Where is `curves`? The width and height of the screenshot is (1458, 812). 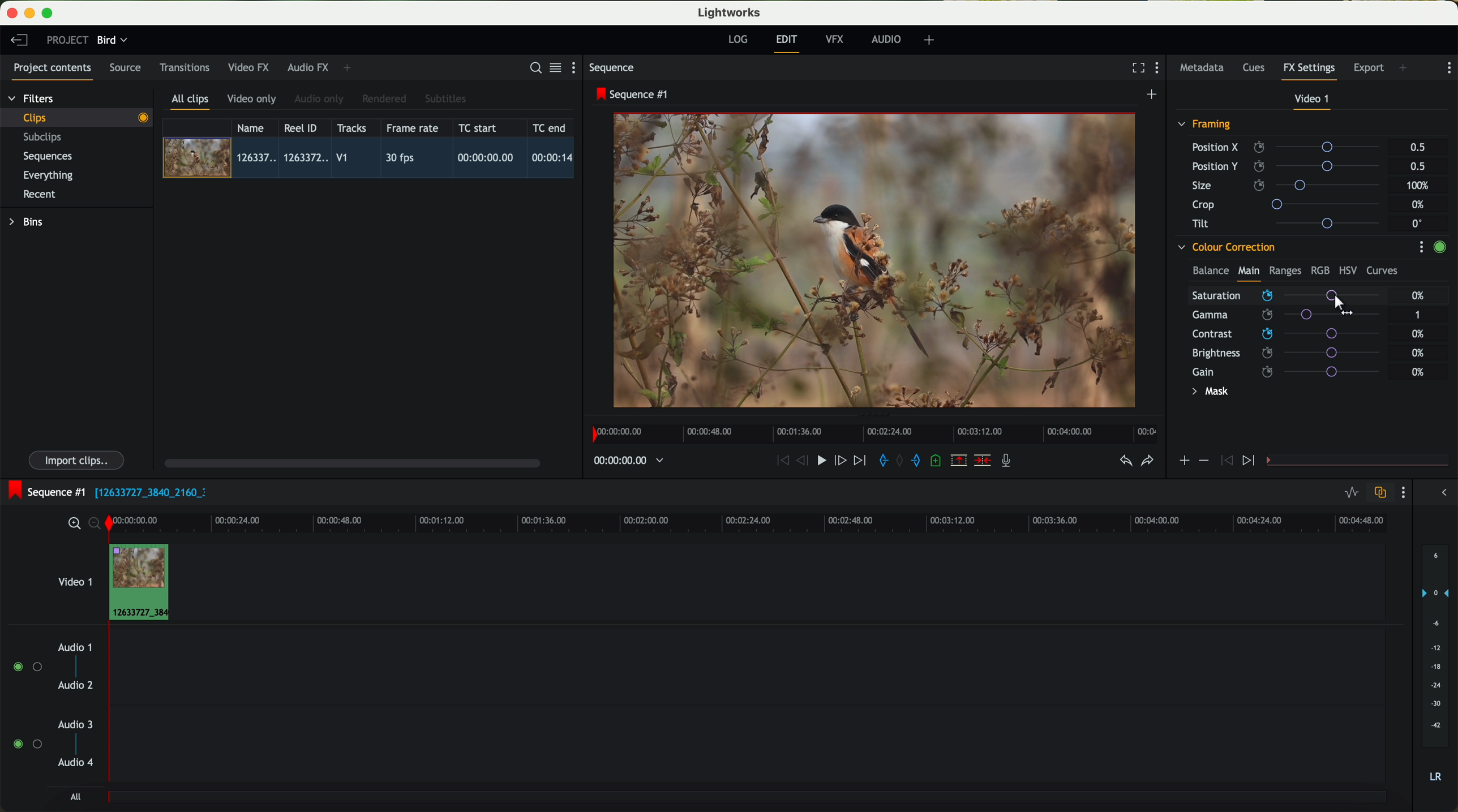
curves is located at coordinates (1382, 271).